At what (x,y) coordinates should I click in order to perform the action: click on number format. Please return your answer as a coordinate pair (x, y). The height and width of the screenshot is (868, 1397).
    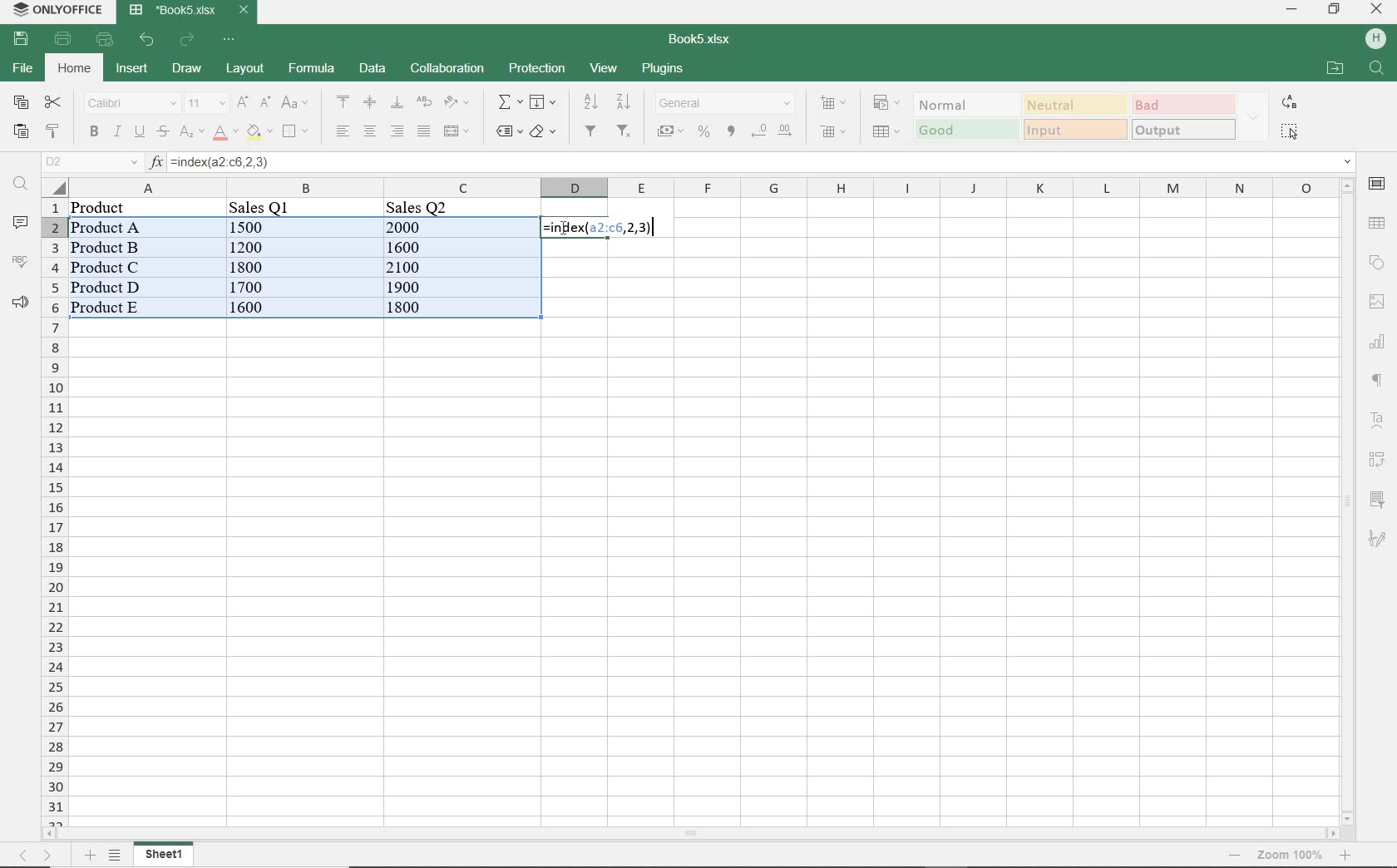
    Looking at the image, I should click on (724, 104).